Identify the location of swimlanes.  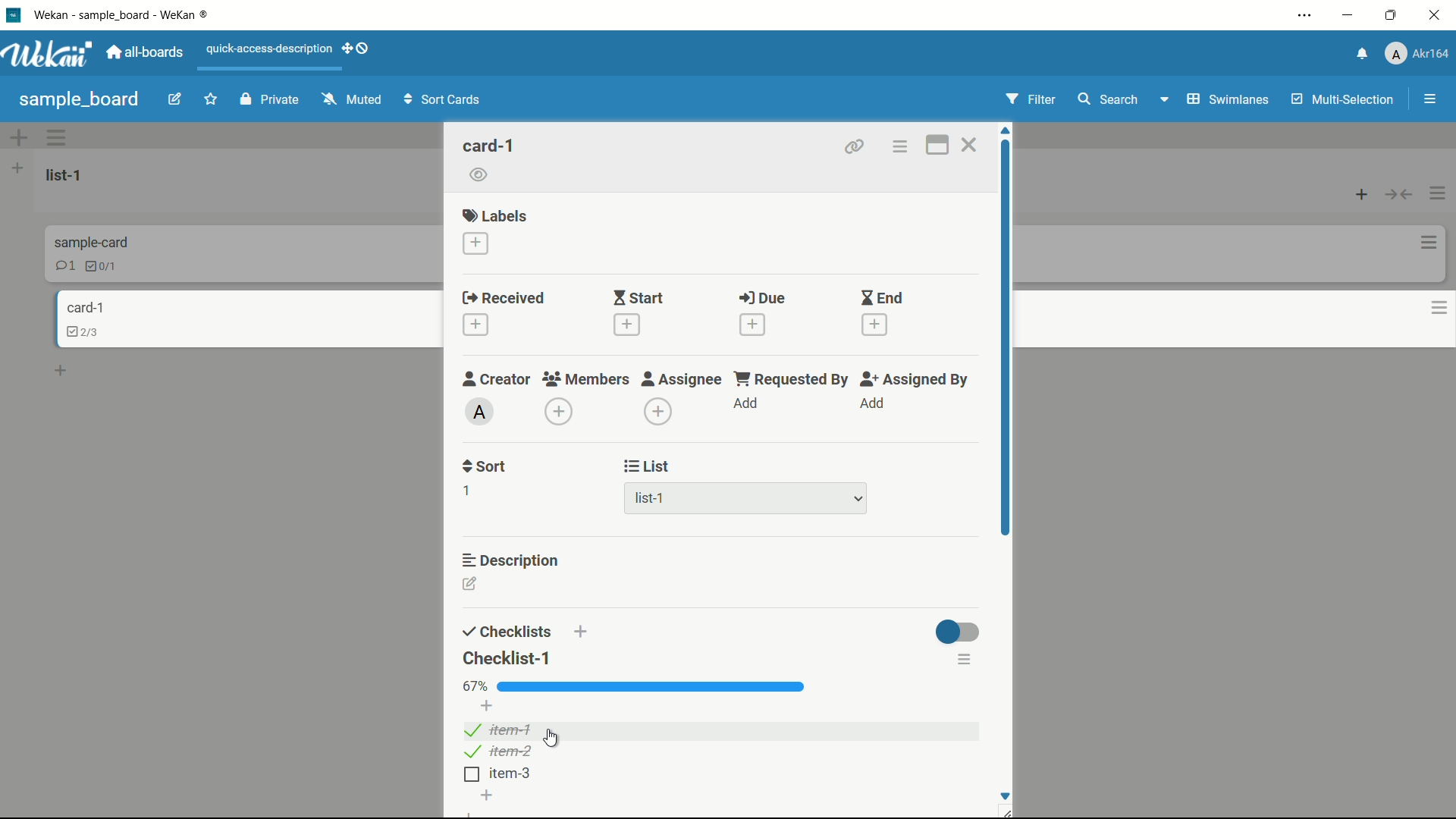
(1216, 100).